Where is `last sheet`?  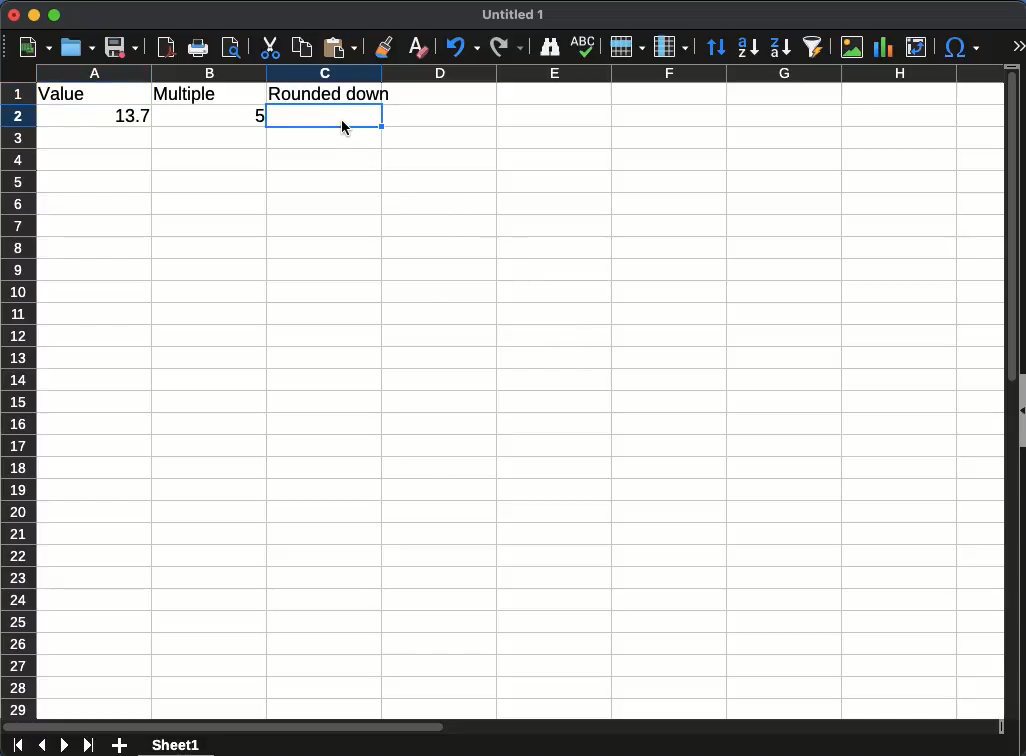
last sheet is located at coordinates (88, 745).